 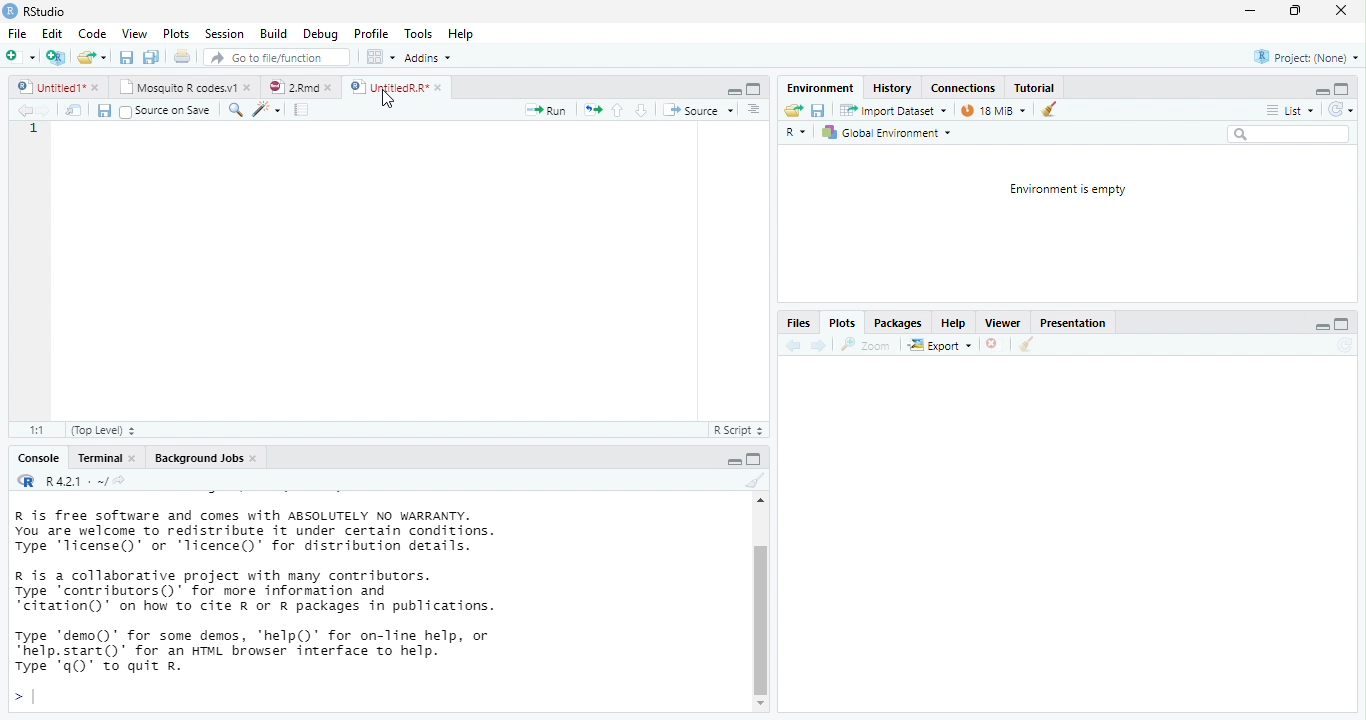 What do you see at coordinates (24, 480) in the screenshot?
I see `R` at bounding box center [24, 480].